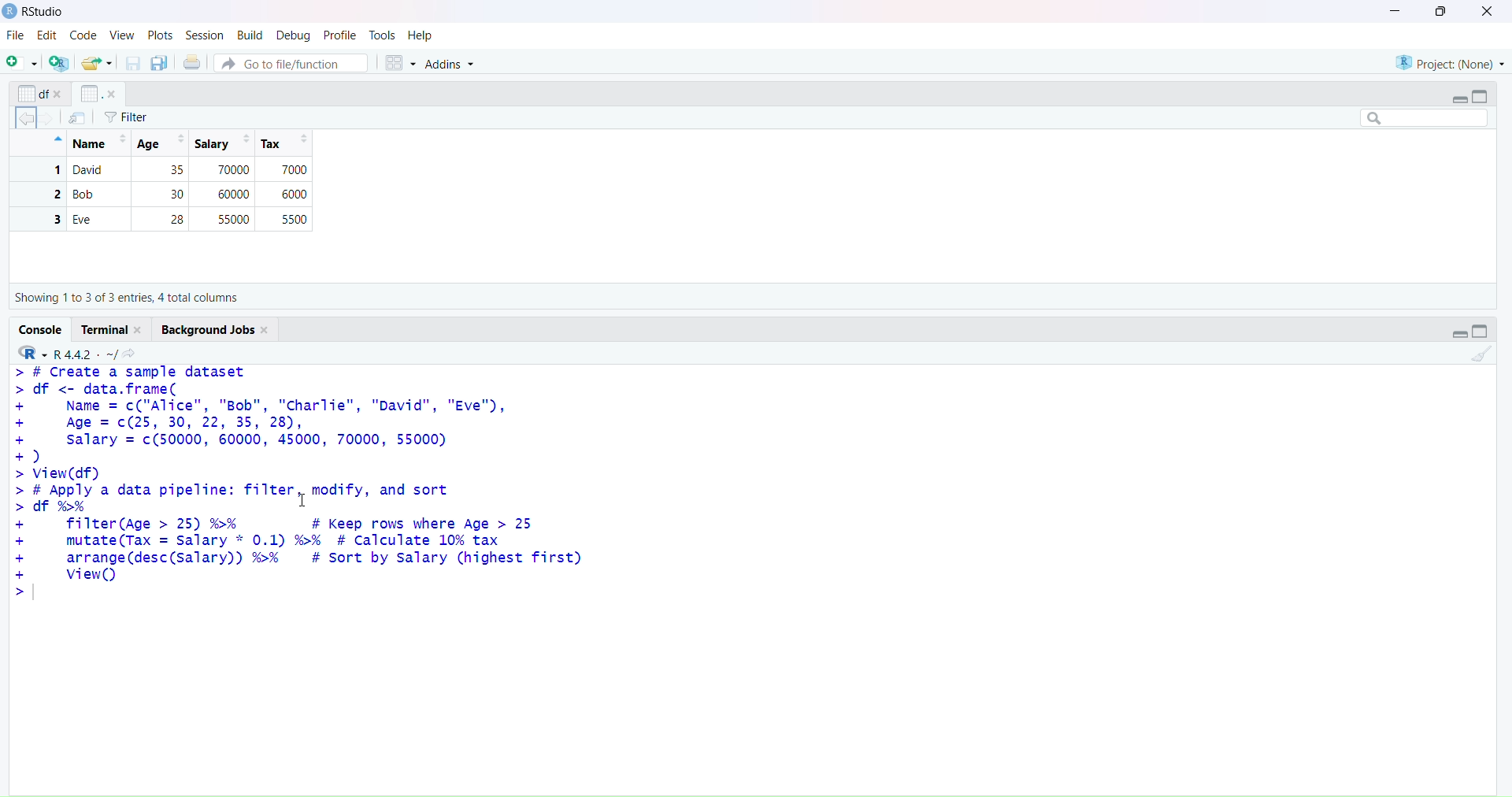 Image resolution: width=1512 pixels, height=797 pixels. What do you see at coordinates (291, 63) in the screenshot?
I see `go to file/function` at bounding box center [291, 63].